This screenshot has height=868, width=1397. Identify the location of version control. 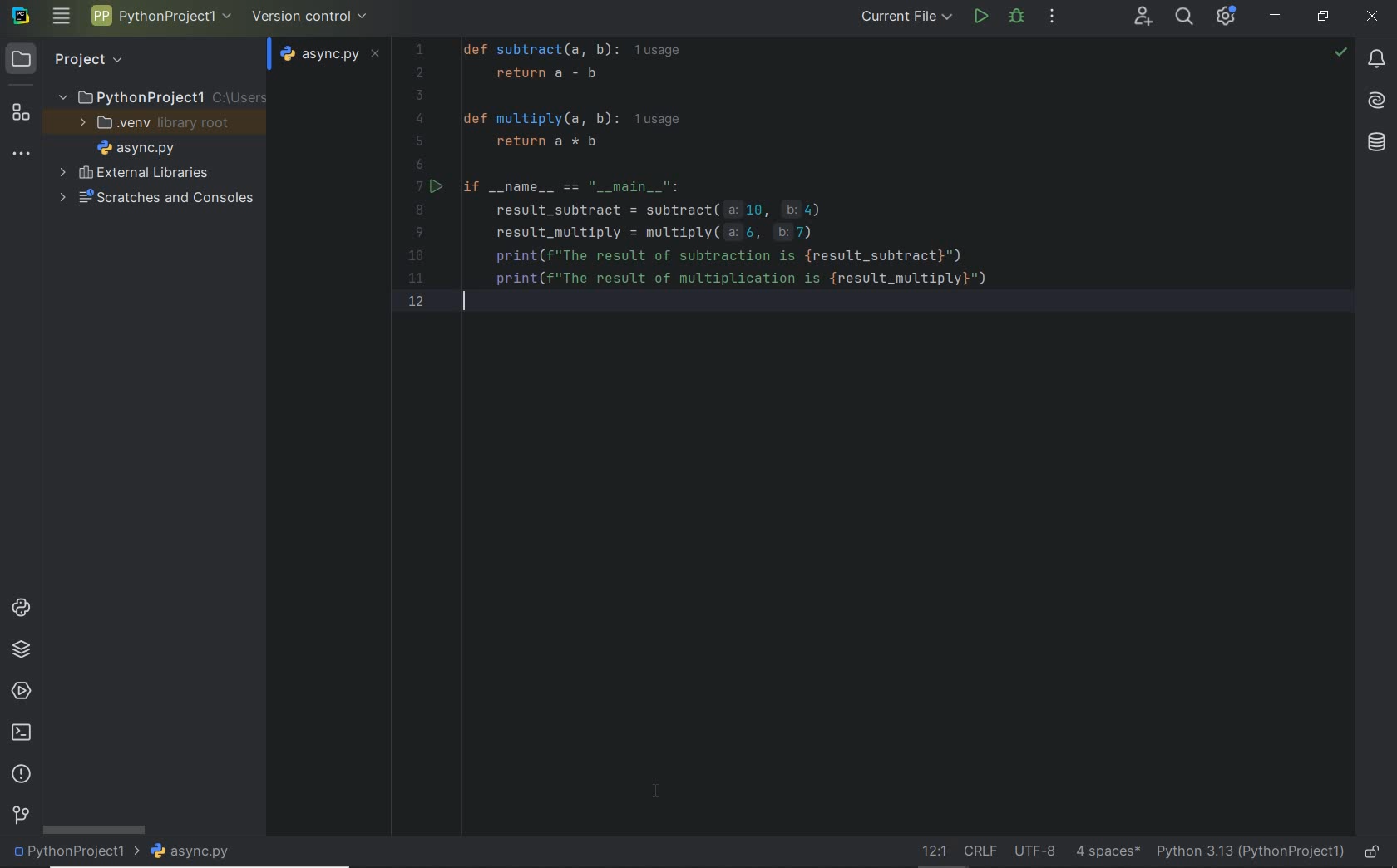
(20, 817).